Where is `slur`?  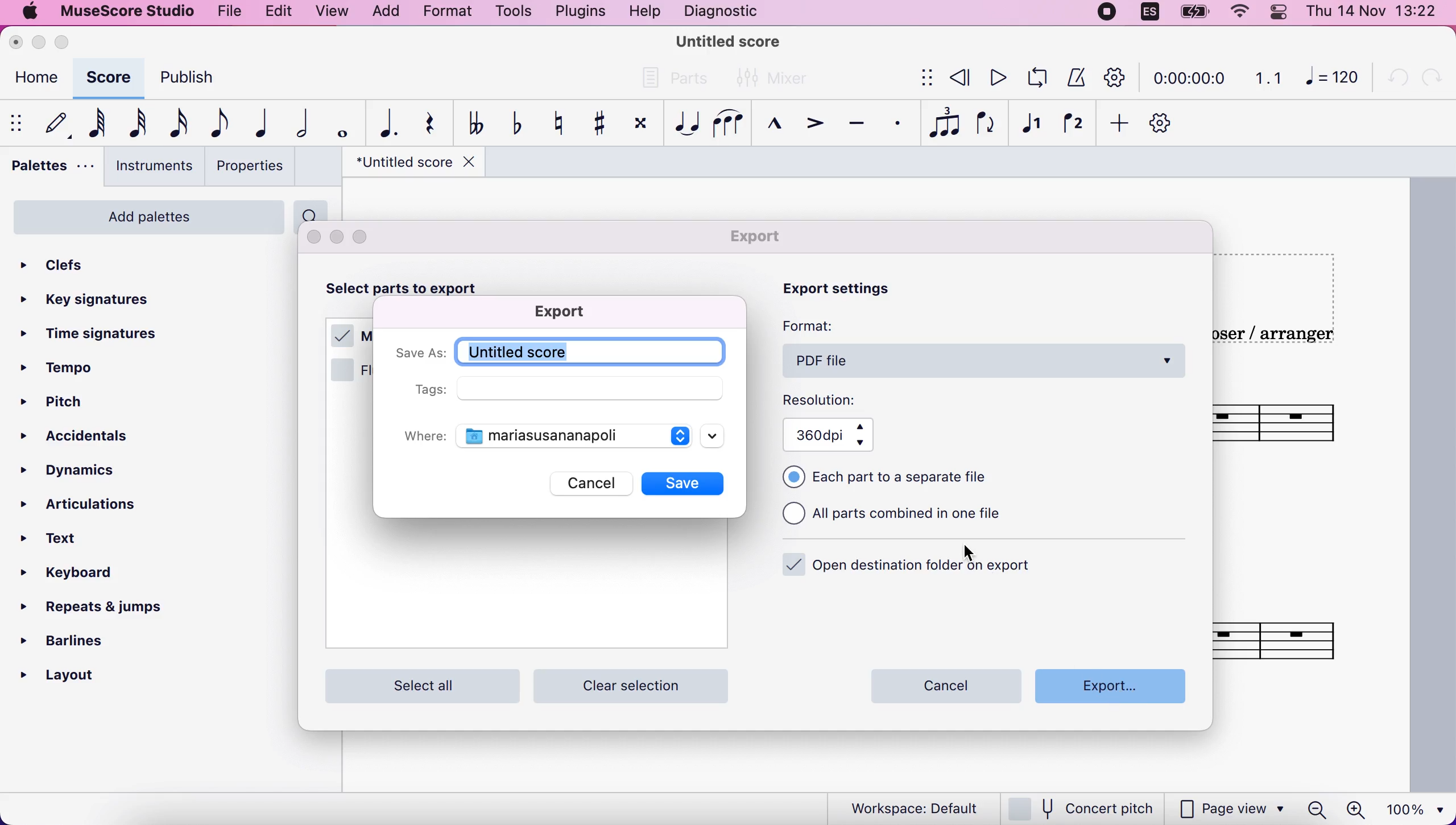
slur is located at coordinates (726, 125).